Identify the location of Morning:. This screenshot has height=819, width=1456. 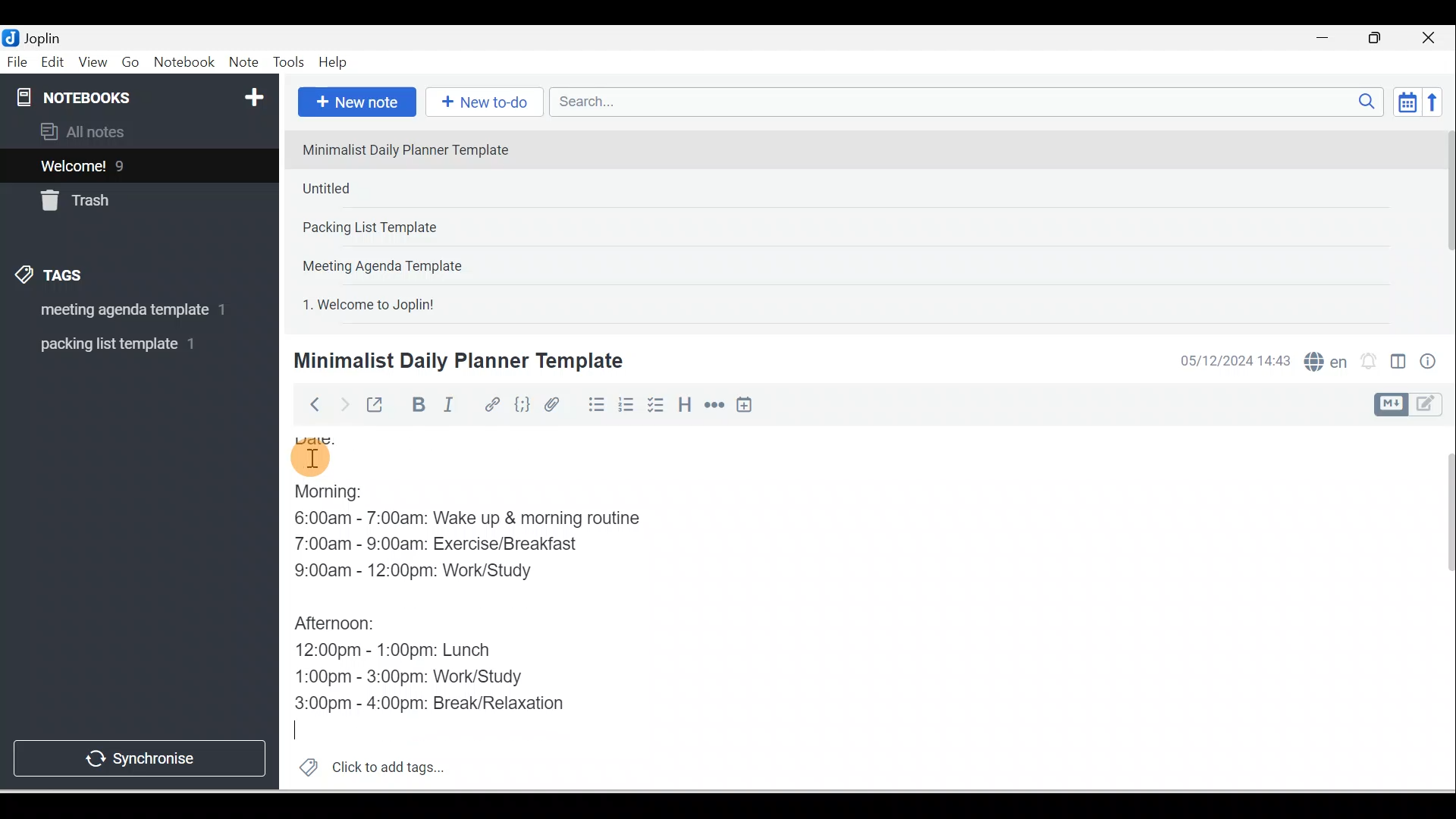
(345, 494).